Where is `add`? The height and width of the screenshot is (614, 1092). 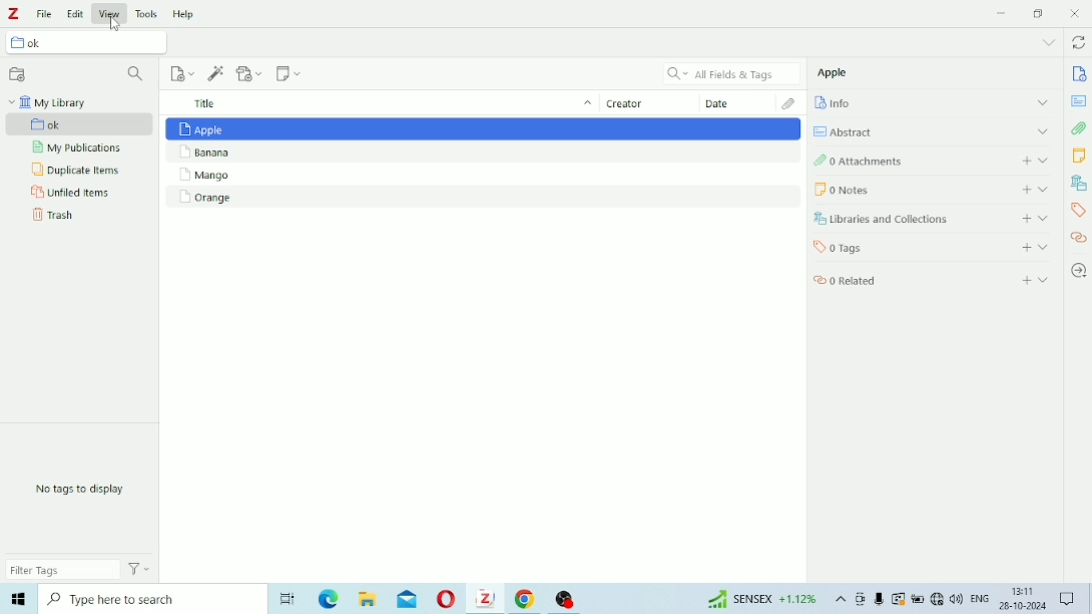 add is located at coordinates (1024, 161).